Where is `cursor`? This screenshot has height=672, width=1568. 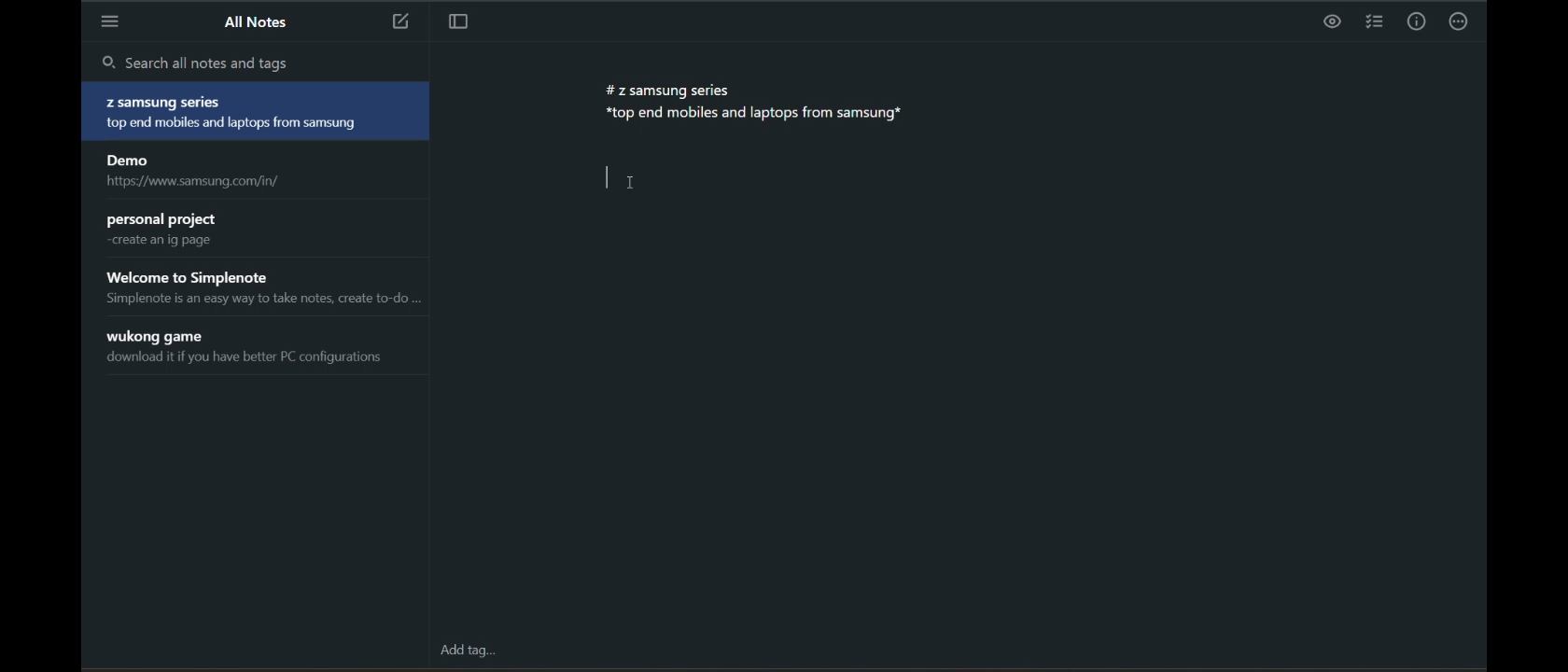 cursor is located at coordinates (631, 183).